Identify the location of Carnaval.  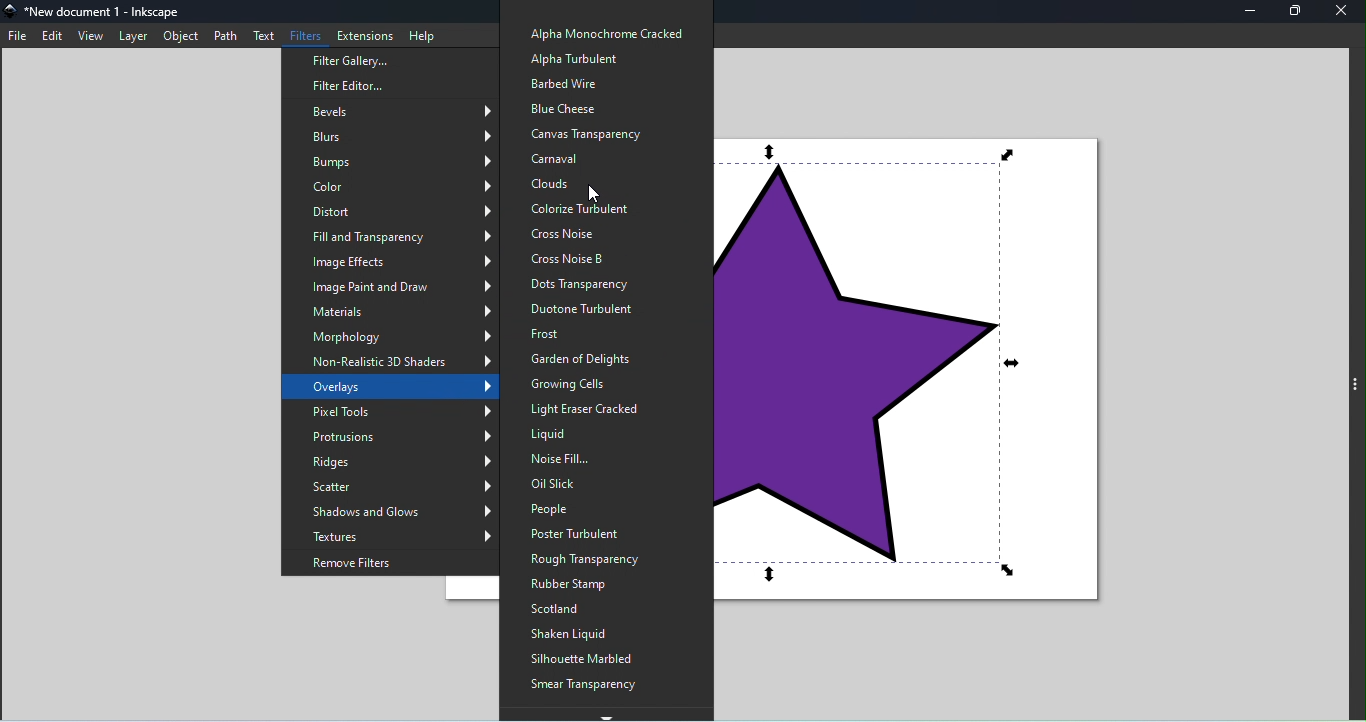
(597, 158).